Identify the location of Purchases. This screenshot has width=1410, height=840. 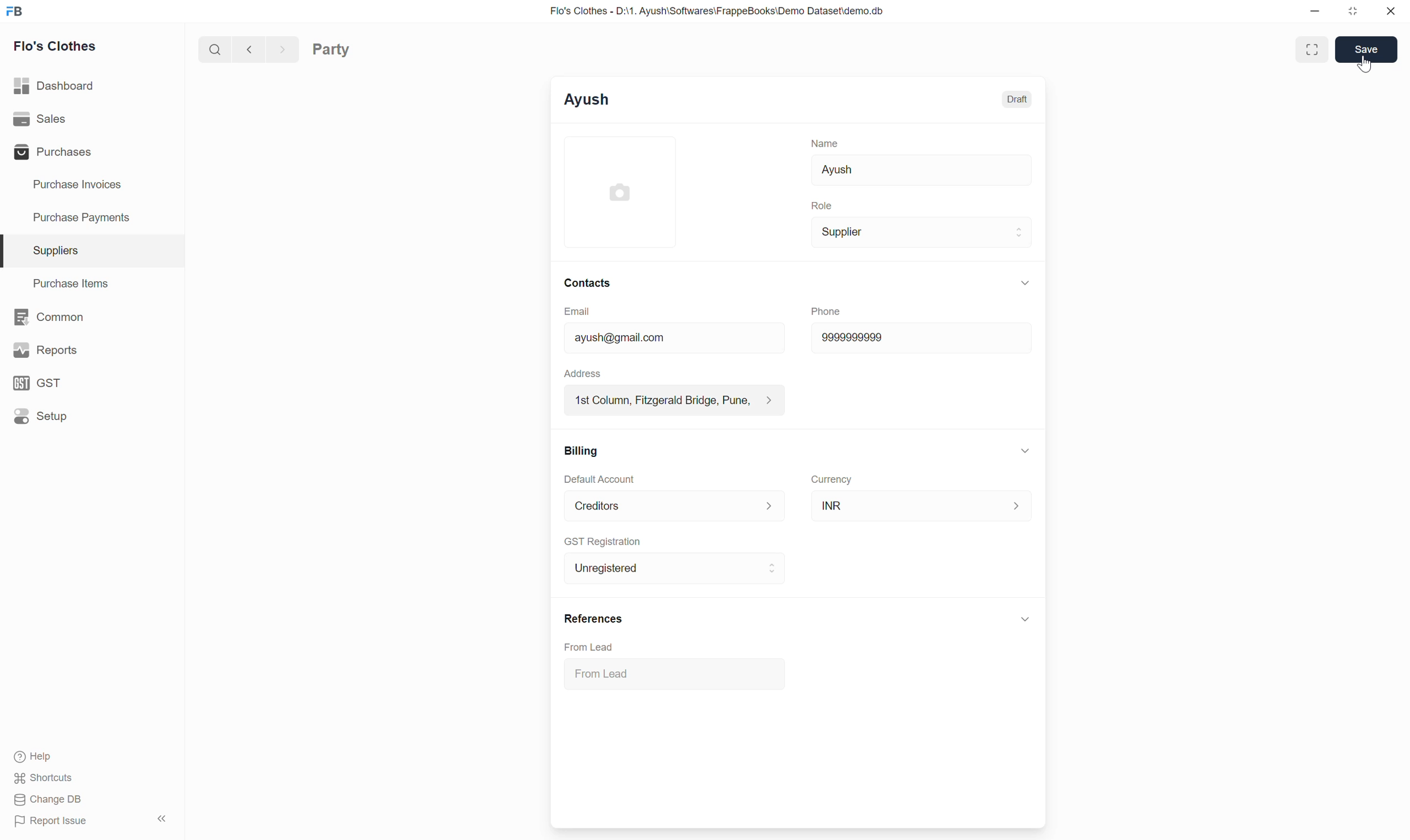
(91, 152).